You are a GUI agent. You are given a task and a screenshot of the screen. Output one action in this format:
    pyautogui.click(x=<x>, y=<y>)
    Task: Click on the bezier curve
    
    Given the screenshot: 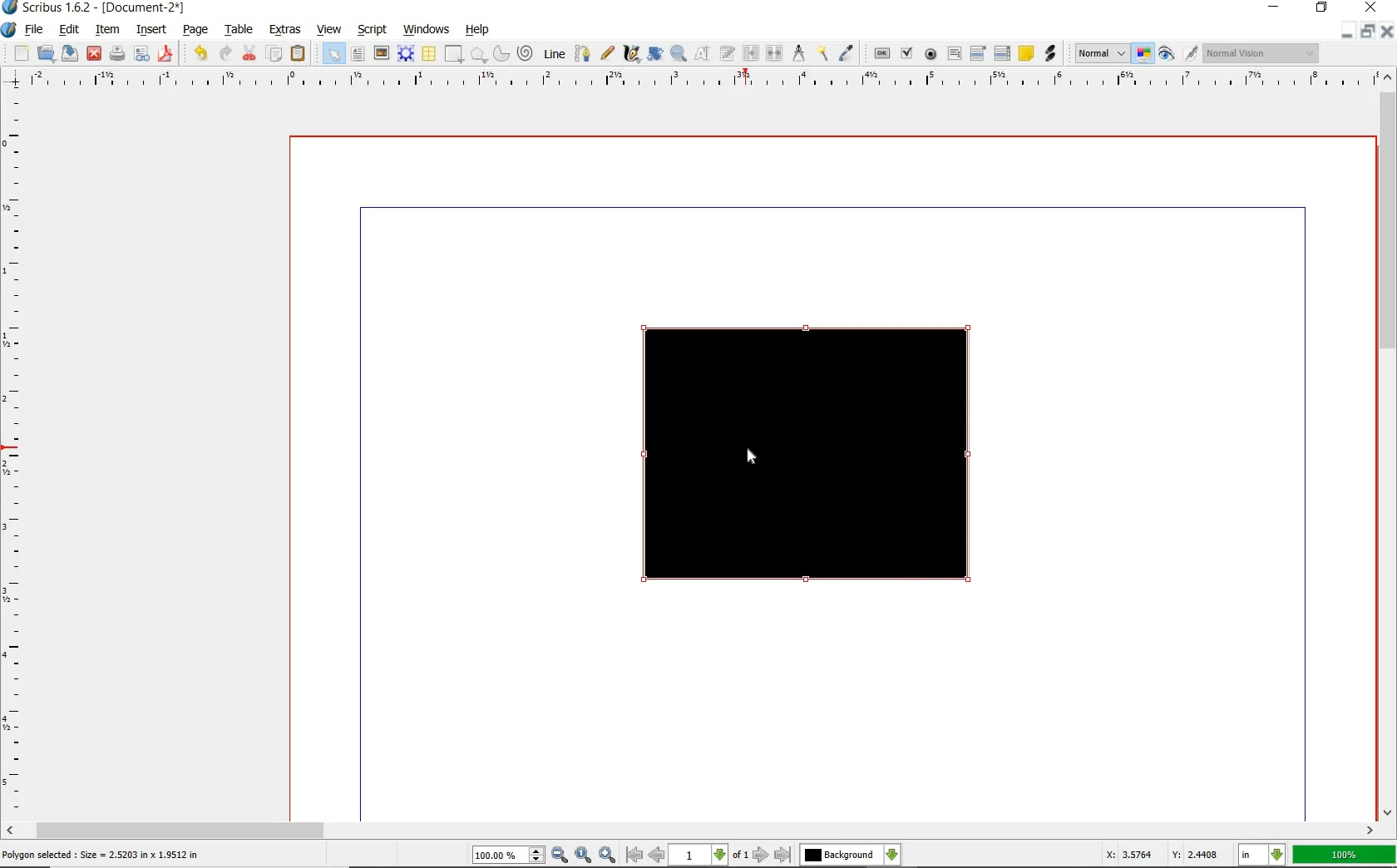 What is the action you would take?
    pyautogui.click(x=583, y=53)
    